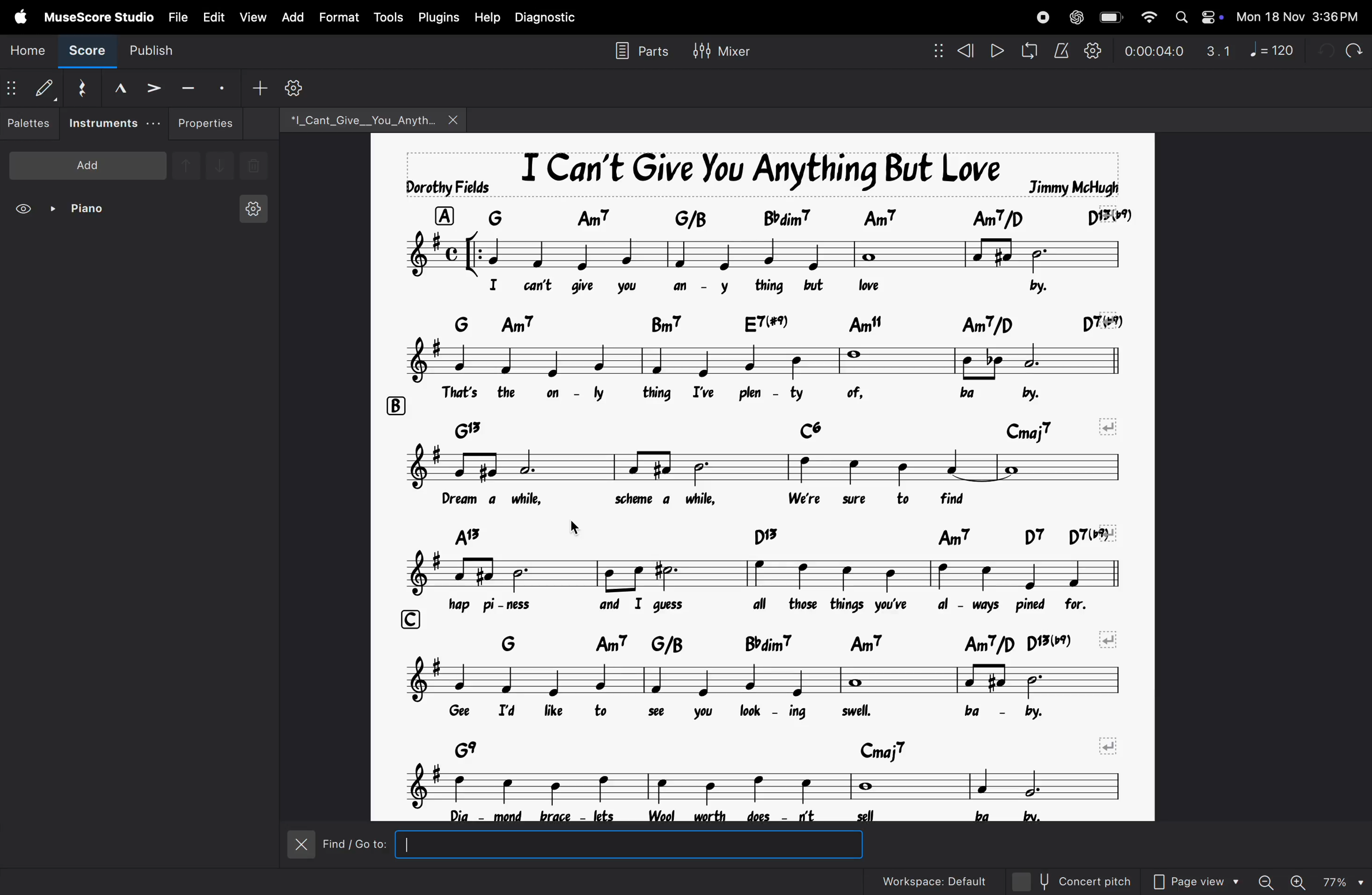 This screenshot has width=1372, height=895. Describe the element at coordinates (149, 52) in the screenshot. I see `publish` at that location.